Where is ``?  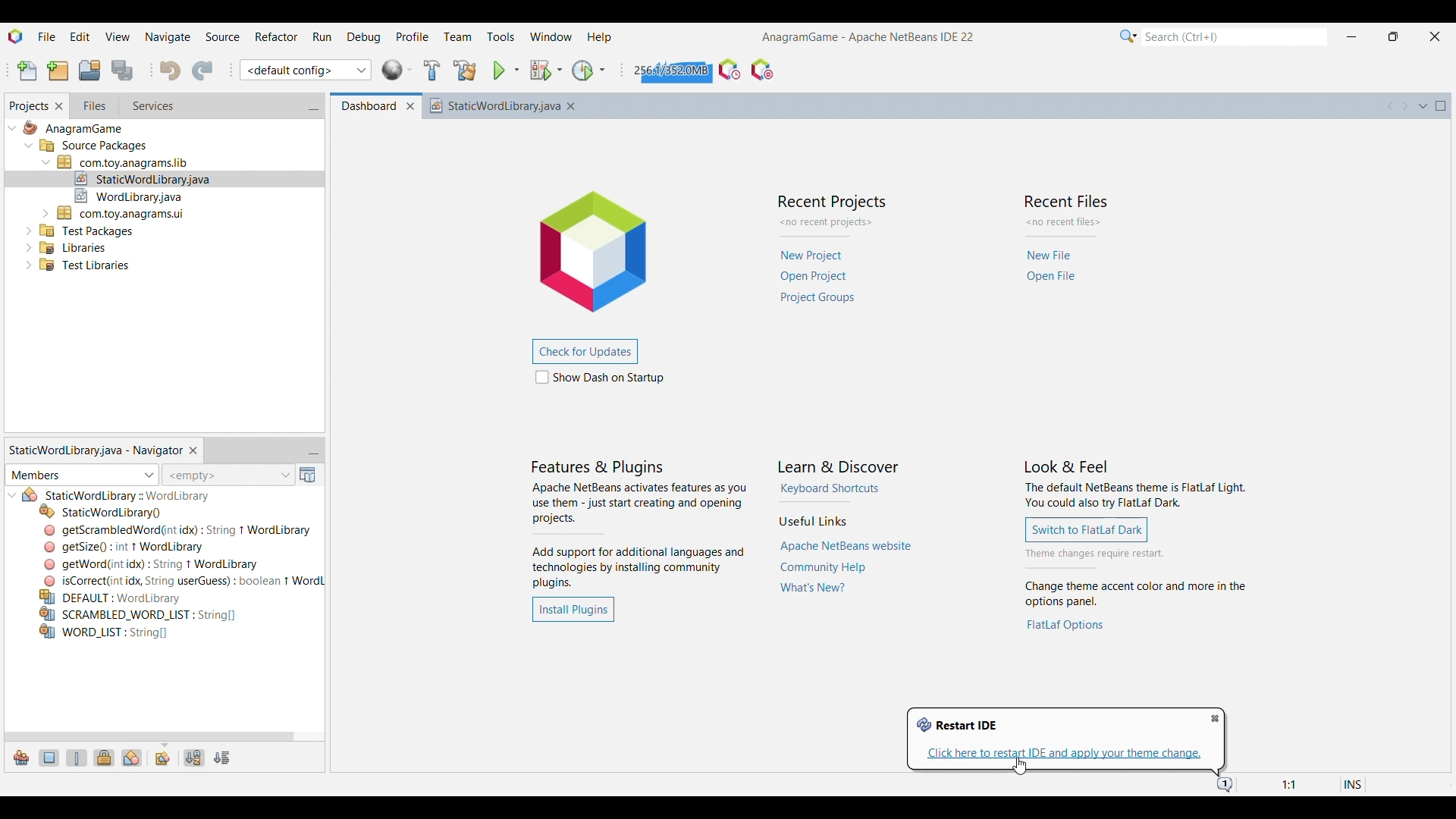  is located at coordinates (144, 177).